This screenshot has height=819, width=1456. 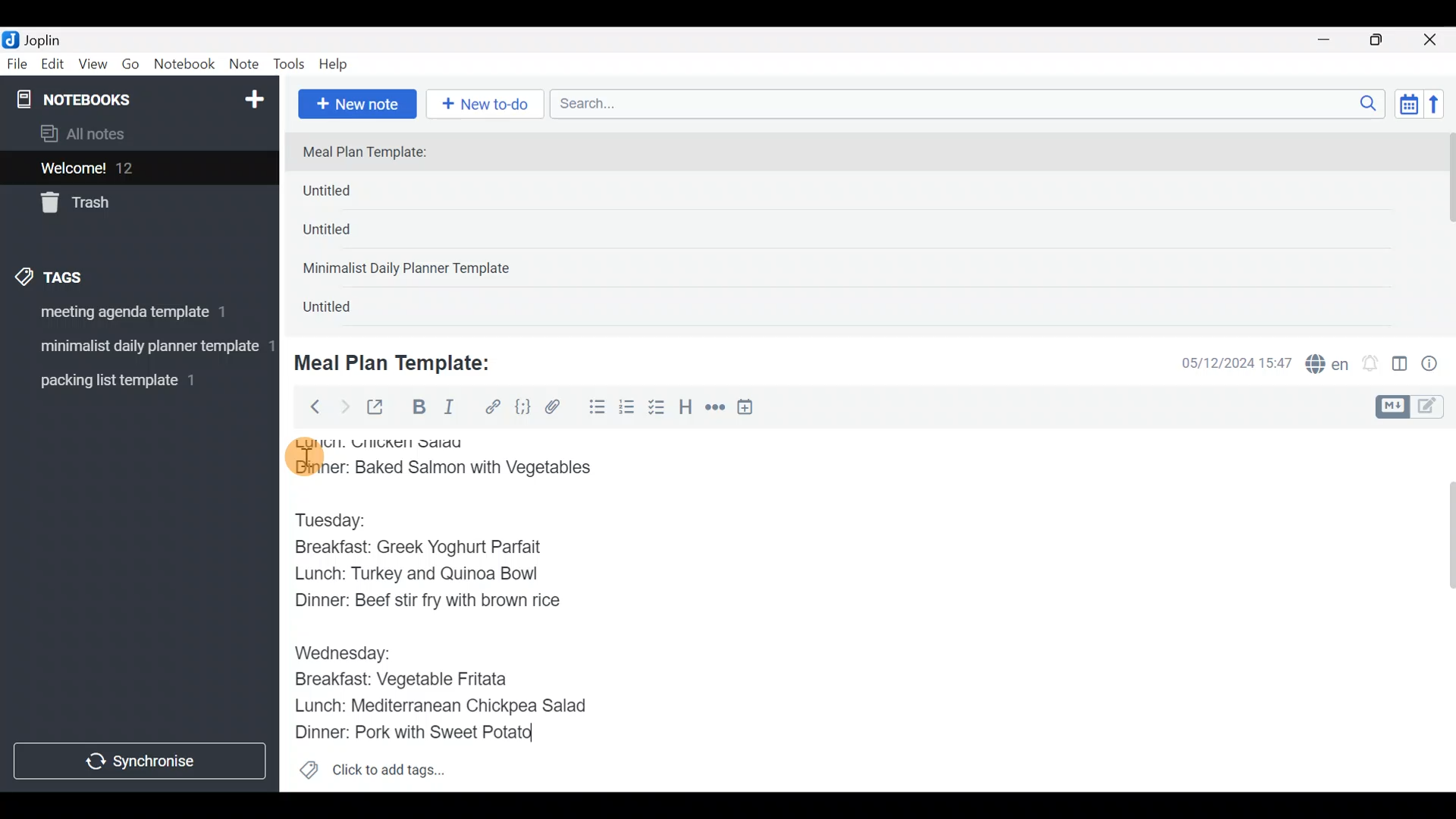 I want to click on Meal Plan Template:, so click(x=374, y=153).